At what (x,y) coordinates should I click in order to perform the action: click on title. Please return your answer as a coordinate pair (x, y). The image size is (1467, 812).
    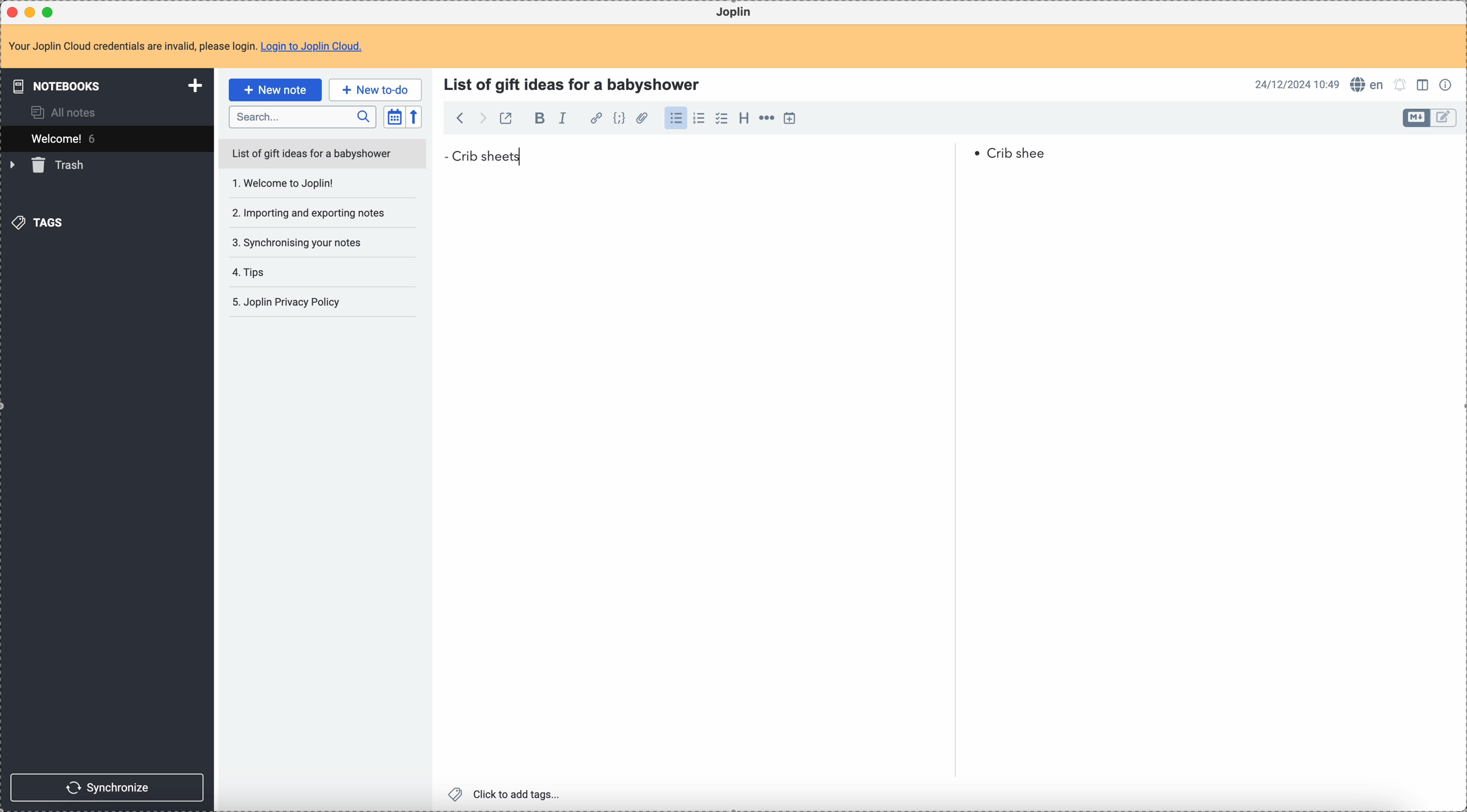
    Looking at the image, I should click on (575, 83).